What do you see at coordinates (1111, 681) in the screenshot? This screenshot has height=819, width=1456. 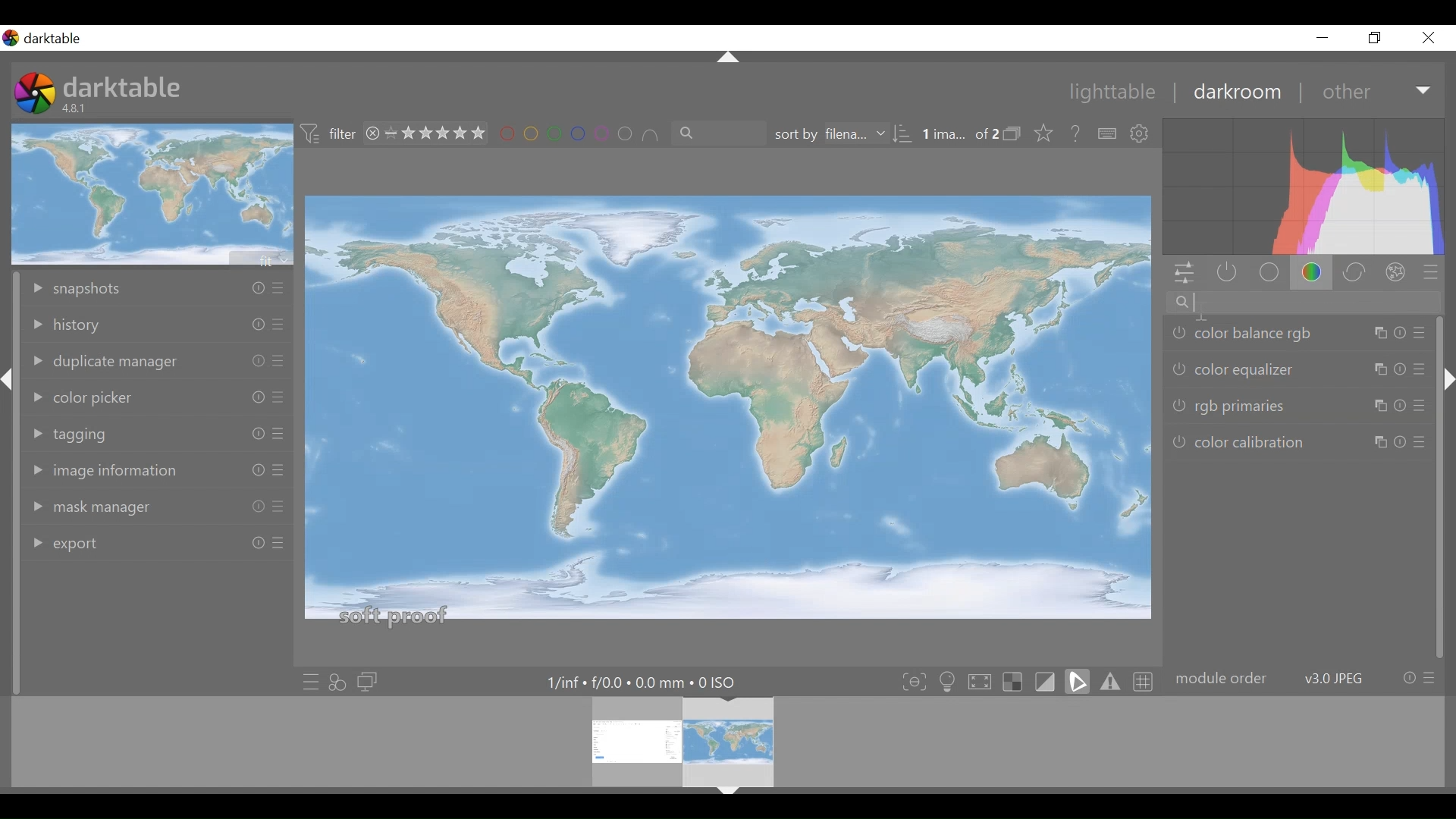 I see `toggle gamut checking` at bounding box center [1111, 681].